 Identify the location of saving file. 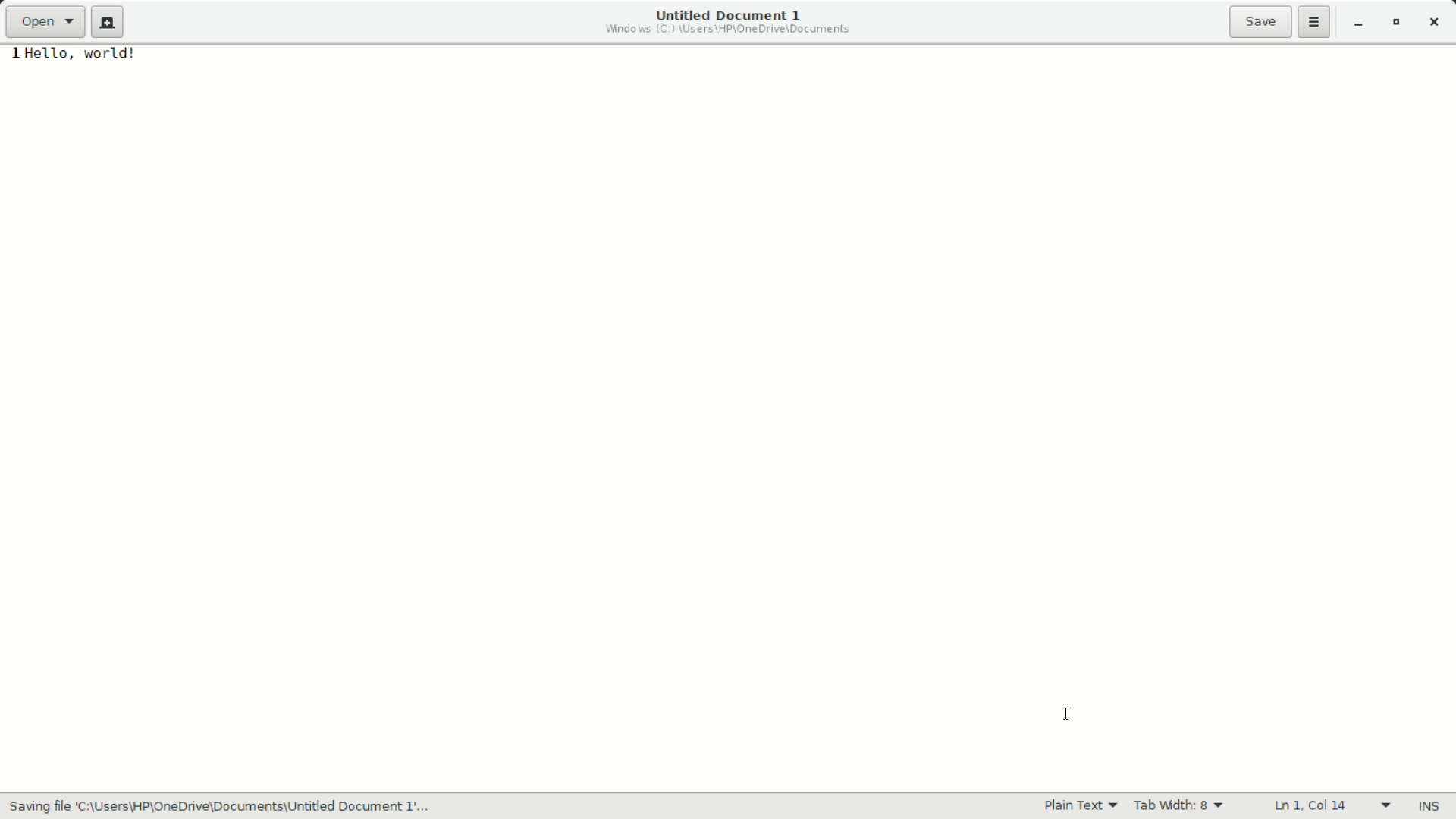
(237, 806).